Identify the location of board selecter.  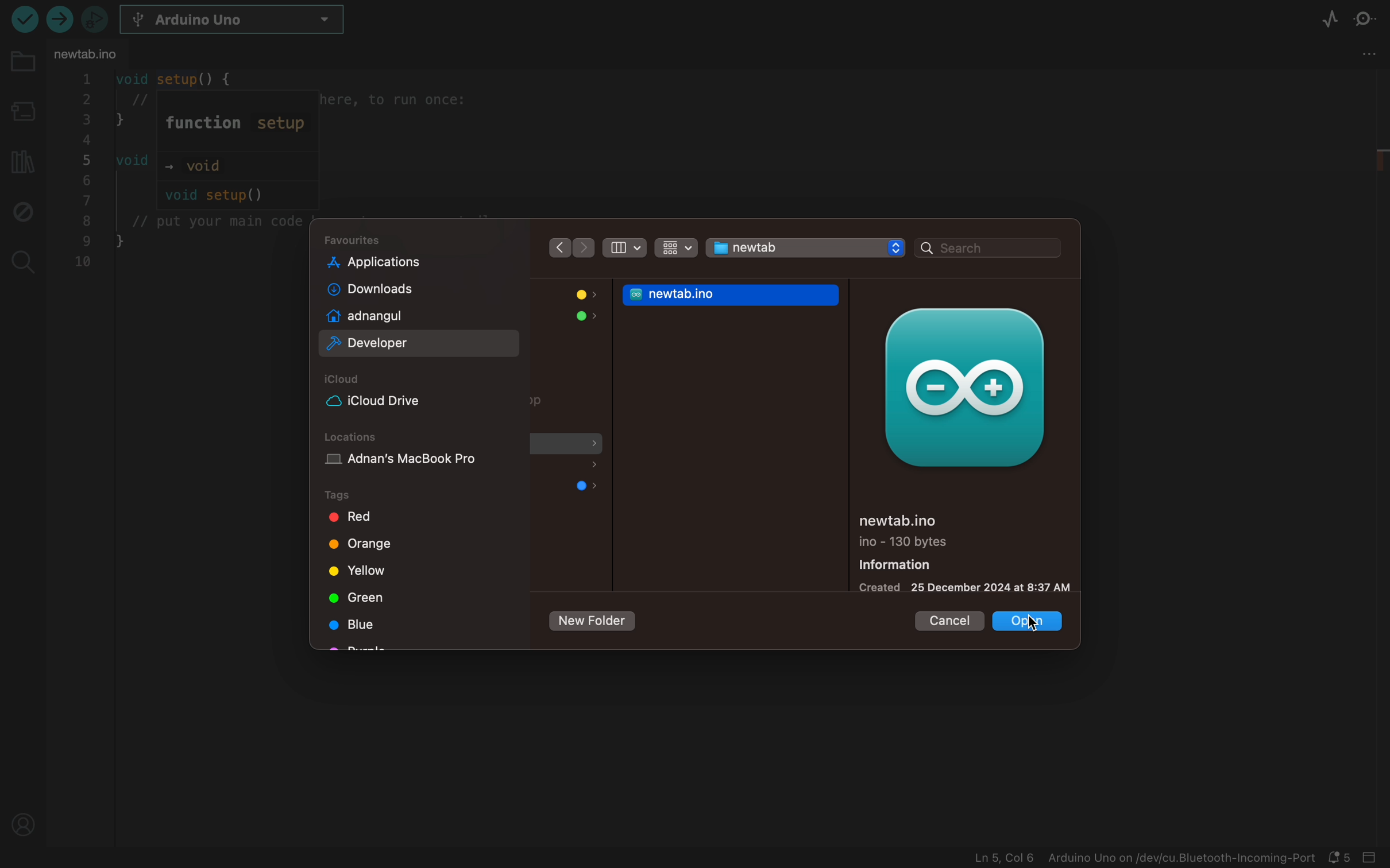
(21, 113).